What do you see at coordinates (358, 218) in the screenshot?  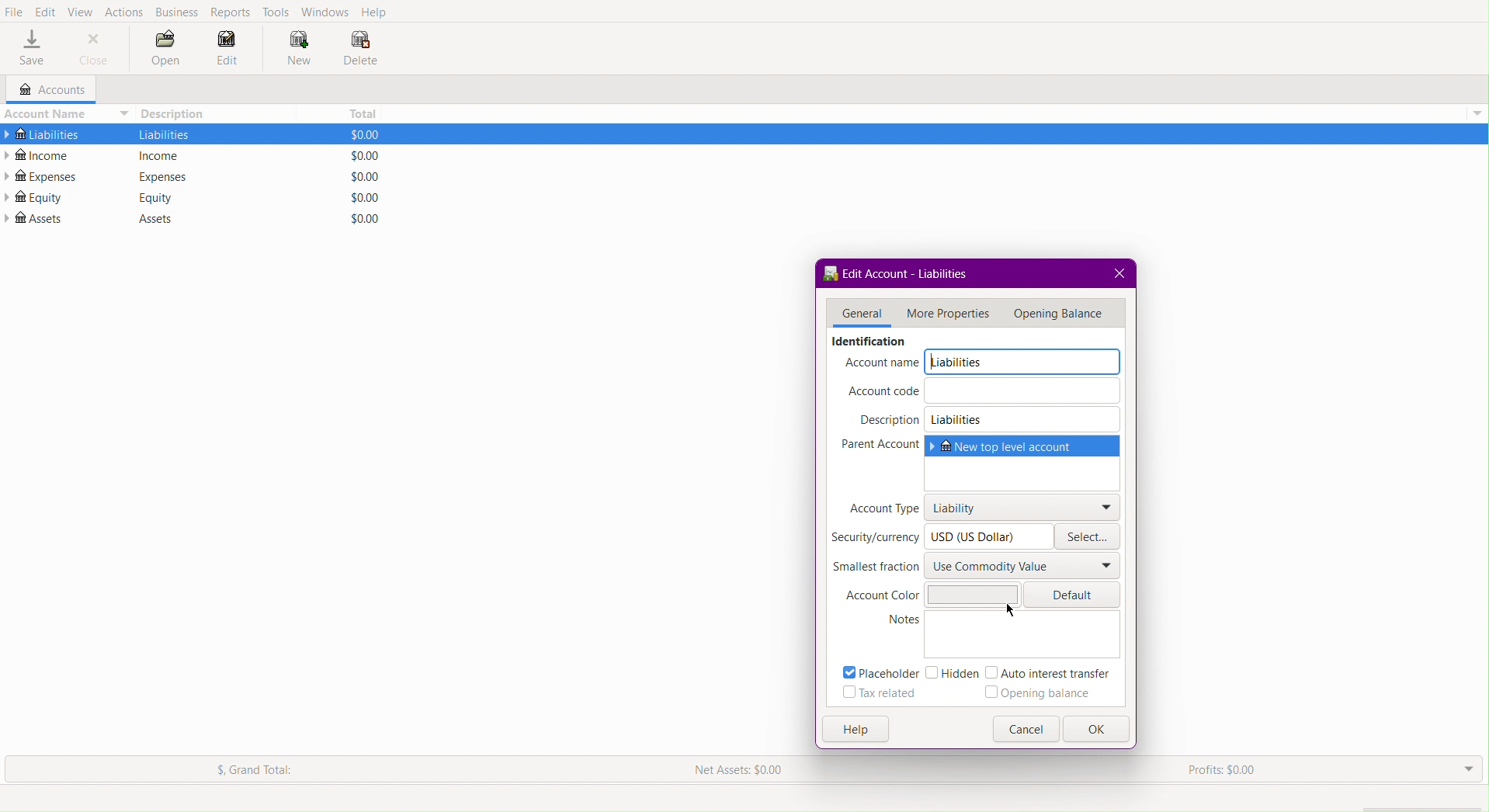 I see `$0.00` at bounding box center [358, 218].